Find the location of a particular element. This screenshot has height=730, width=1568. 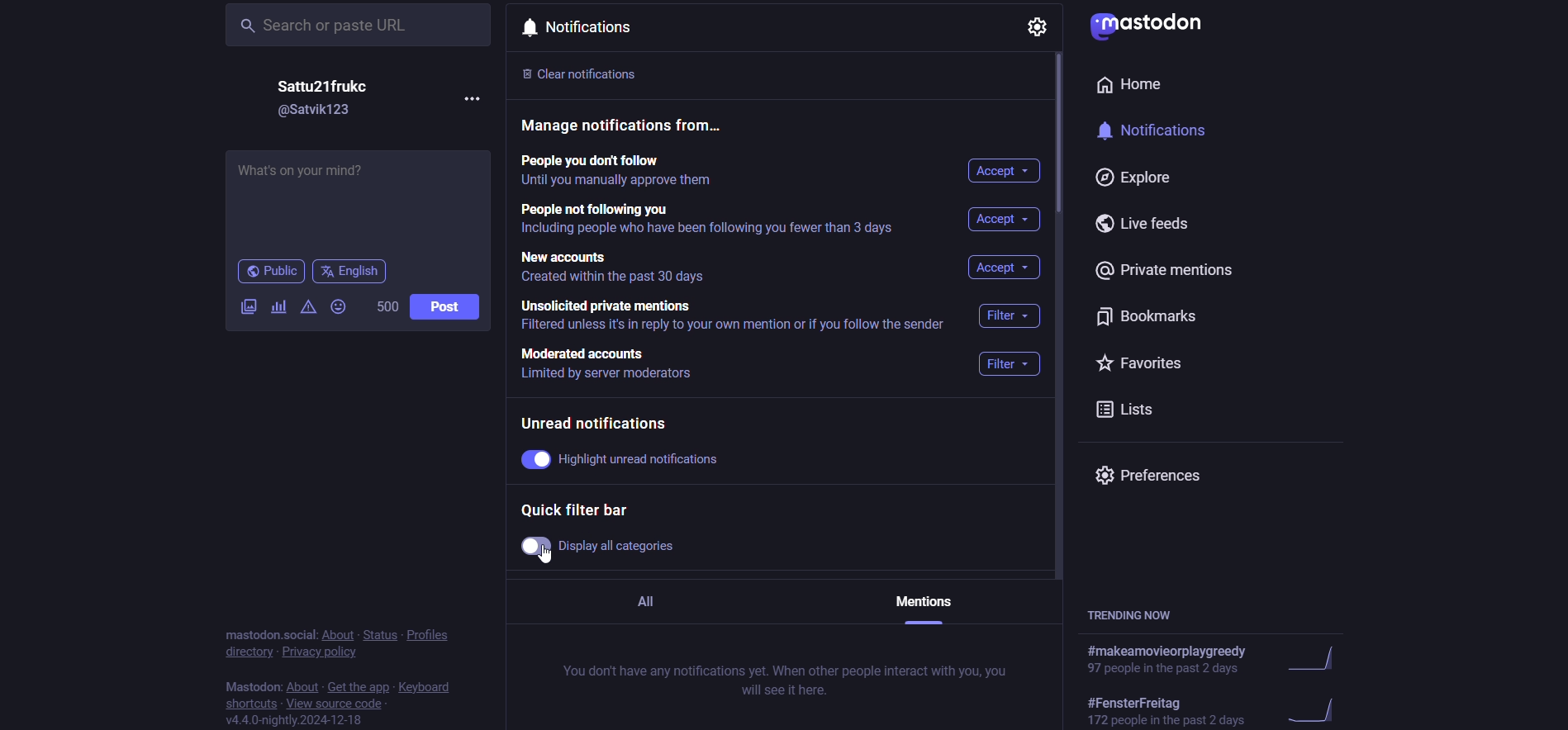

Emojis is located at coordinates (338, 306).